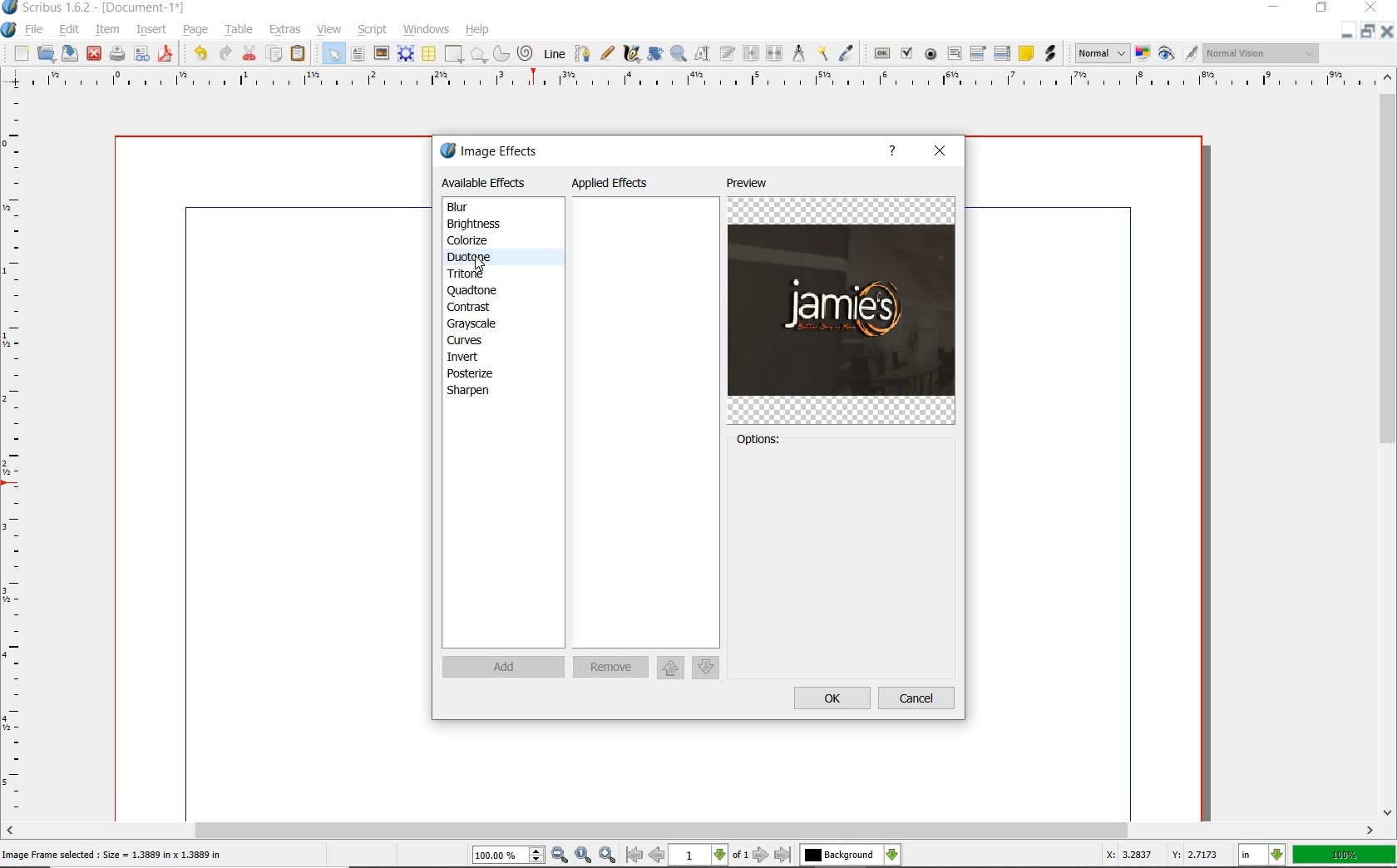 Image resolution: width=1397 pixels, height=868 pixels. I want to click on cursor, so click(482, 264).